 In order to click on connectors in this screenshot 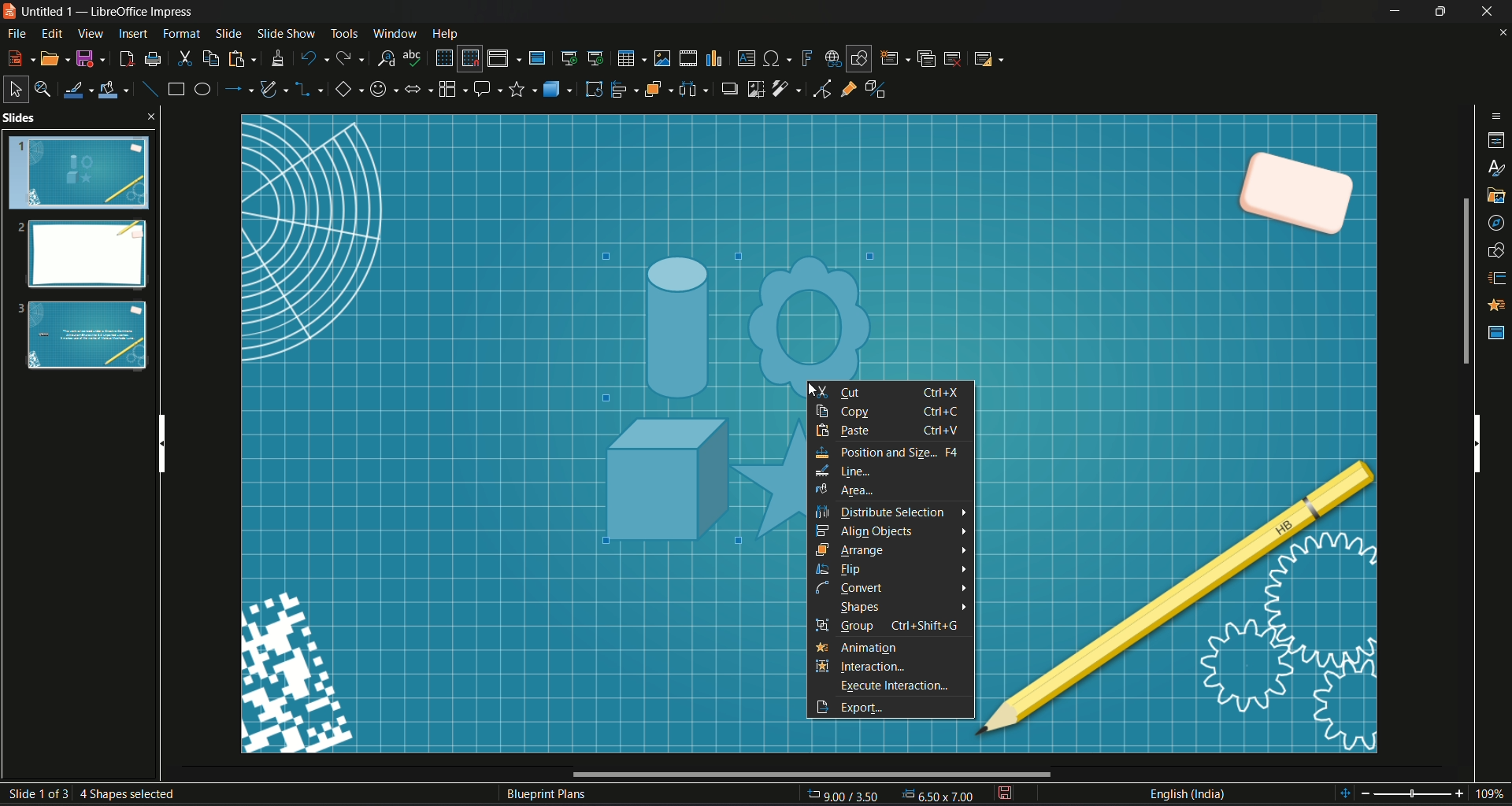, I will do `click(309, 91)`.